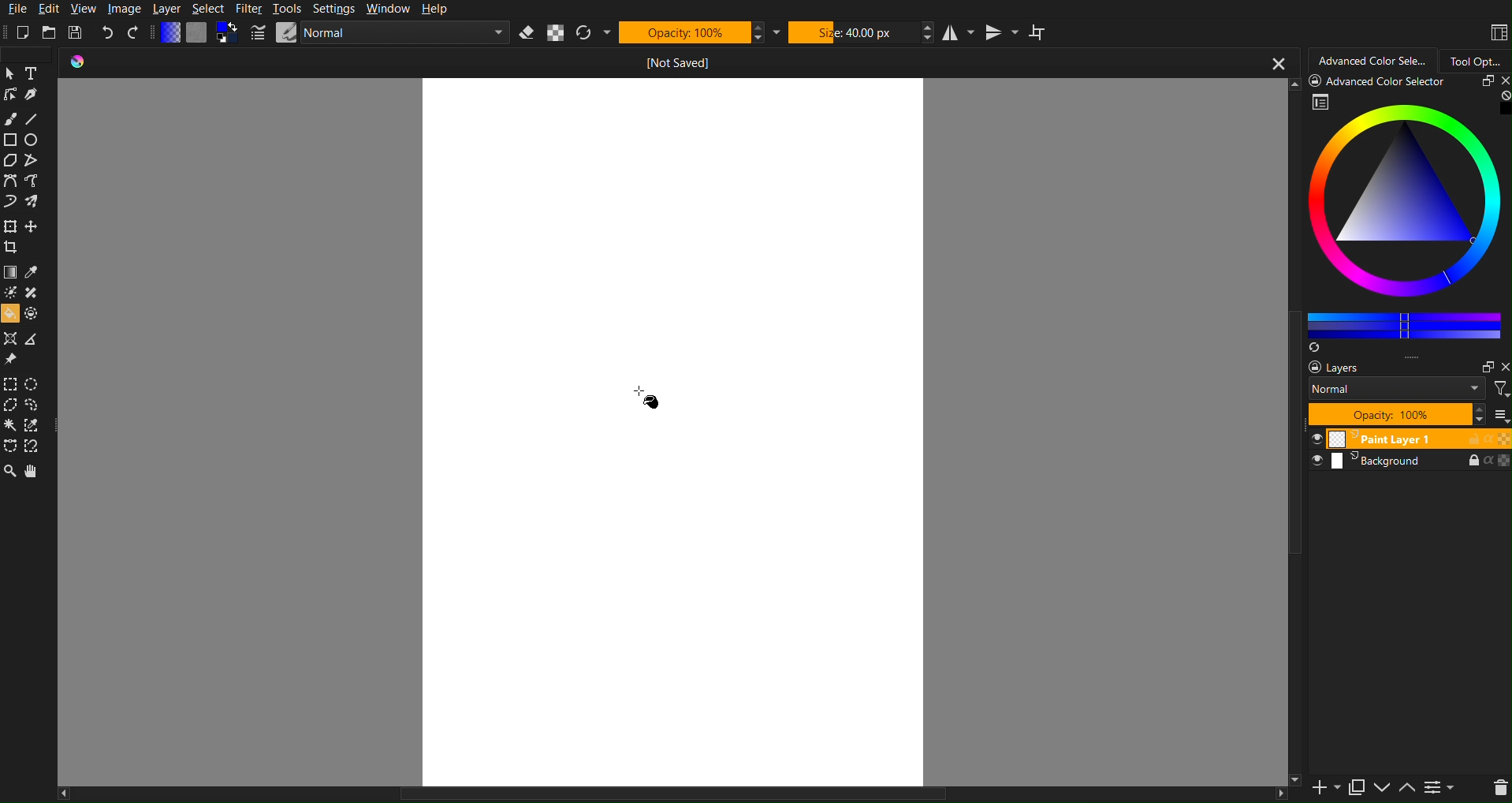 This screenshot has width=1512, height=803. What do you see at coordinates (959, 31) in the screenshot?
I see `Horizontal Mirror` at bounding box center [959, 31].